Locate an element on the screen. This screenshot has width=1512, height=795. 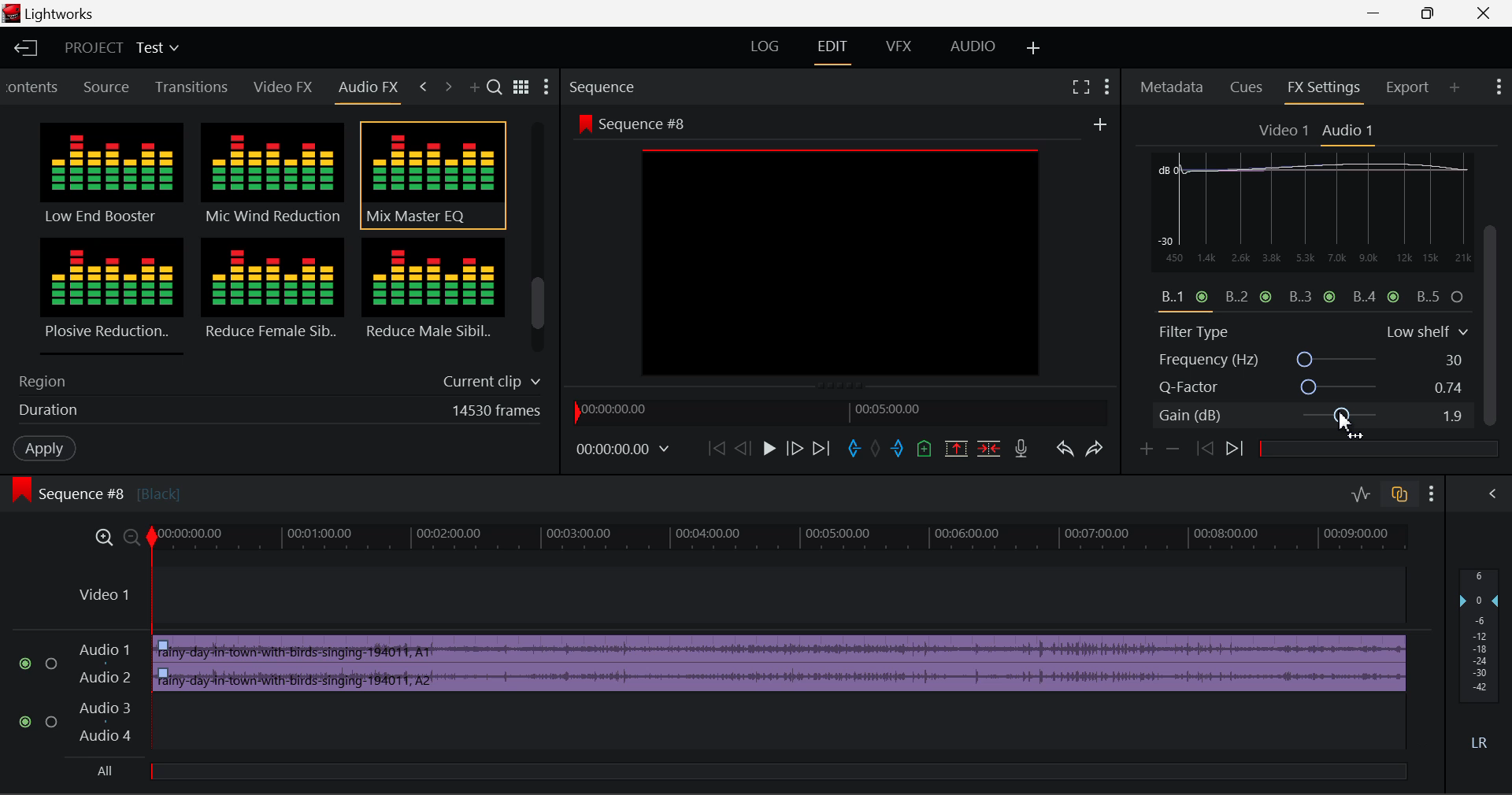
Frequency (Hz) is located at coordinates (1314, 360).